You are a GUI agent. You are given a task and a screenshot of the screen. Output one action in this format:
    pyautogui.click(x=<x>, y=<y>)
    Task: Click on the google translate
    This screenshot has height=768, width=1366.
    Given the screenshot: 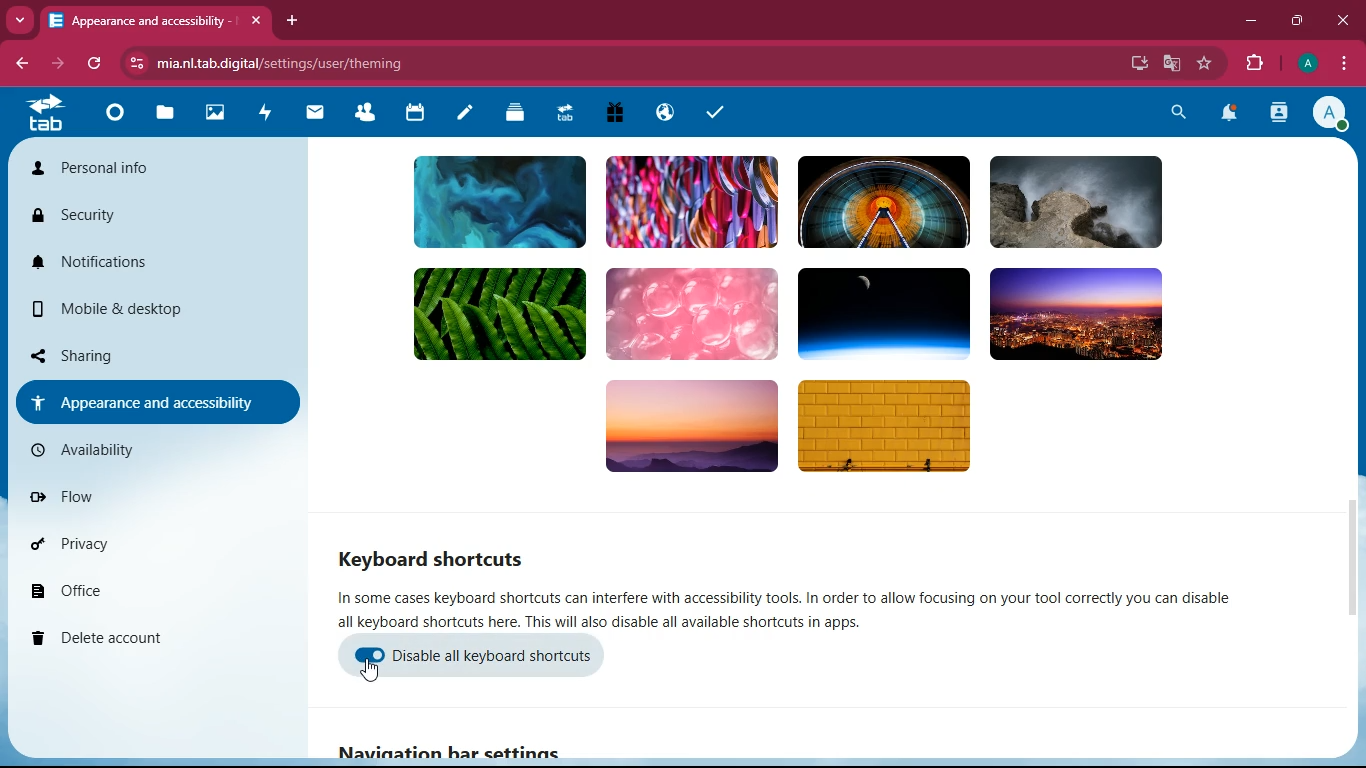 What is the action you would take?
    pyautogui.click(x=1170, y=64)
    